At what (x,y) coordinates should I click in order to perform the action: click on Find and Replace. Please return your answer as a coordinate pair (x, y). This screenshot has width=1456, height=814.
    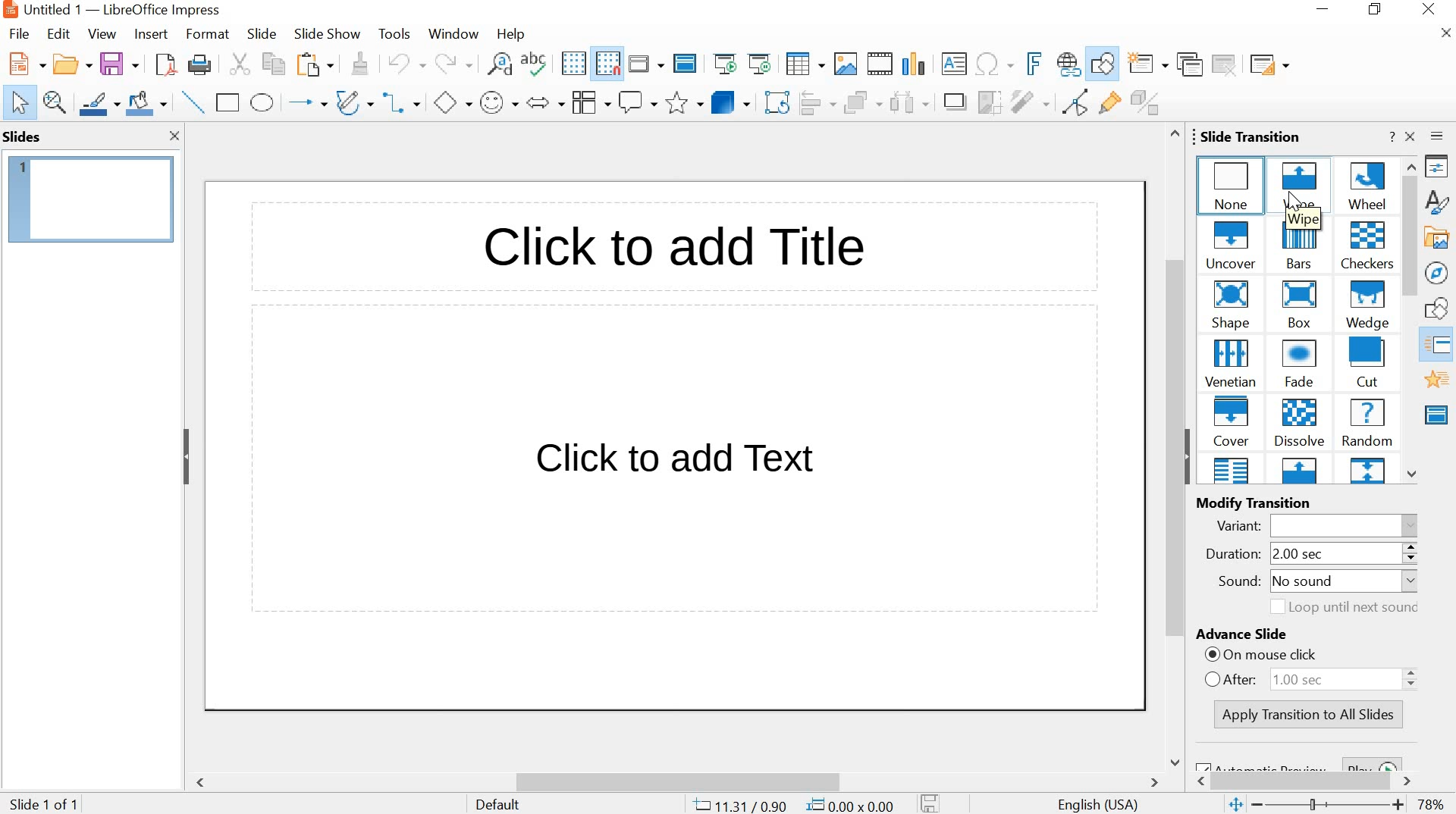
    Looking at the image, I should click on (500, 63).